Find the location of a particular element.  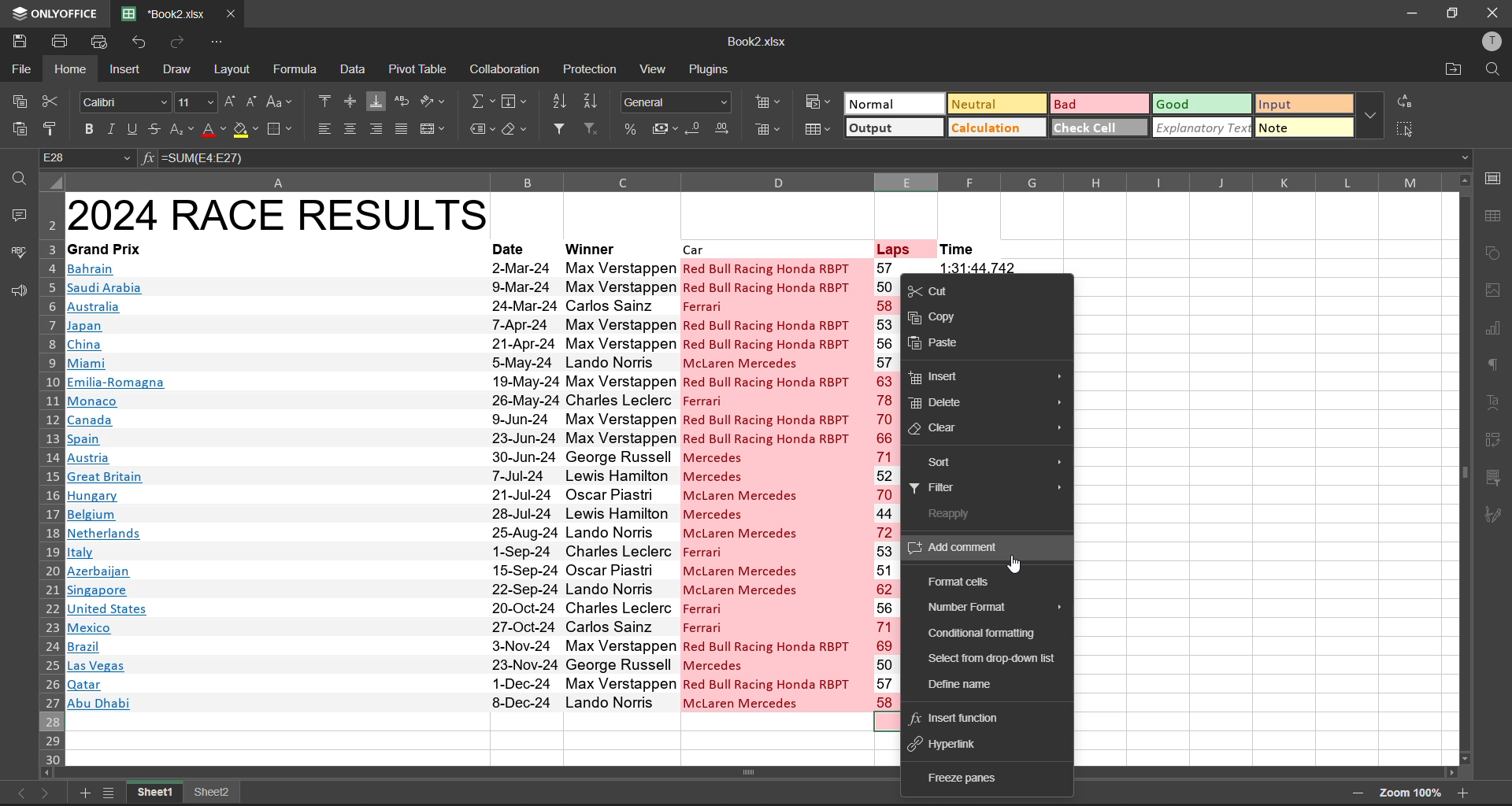

percent is located at coordinates (632, 128).